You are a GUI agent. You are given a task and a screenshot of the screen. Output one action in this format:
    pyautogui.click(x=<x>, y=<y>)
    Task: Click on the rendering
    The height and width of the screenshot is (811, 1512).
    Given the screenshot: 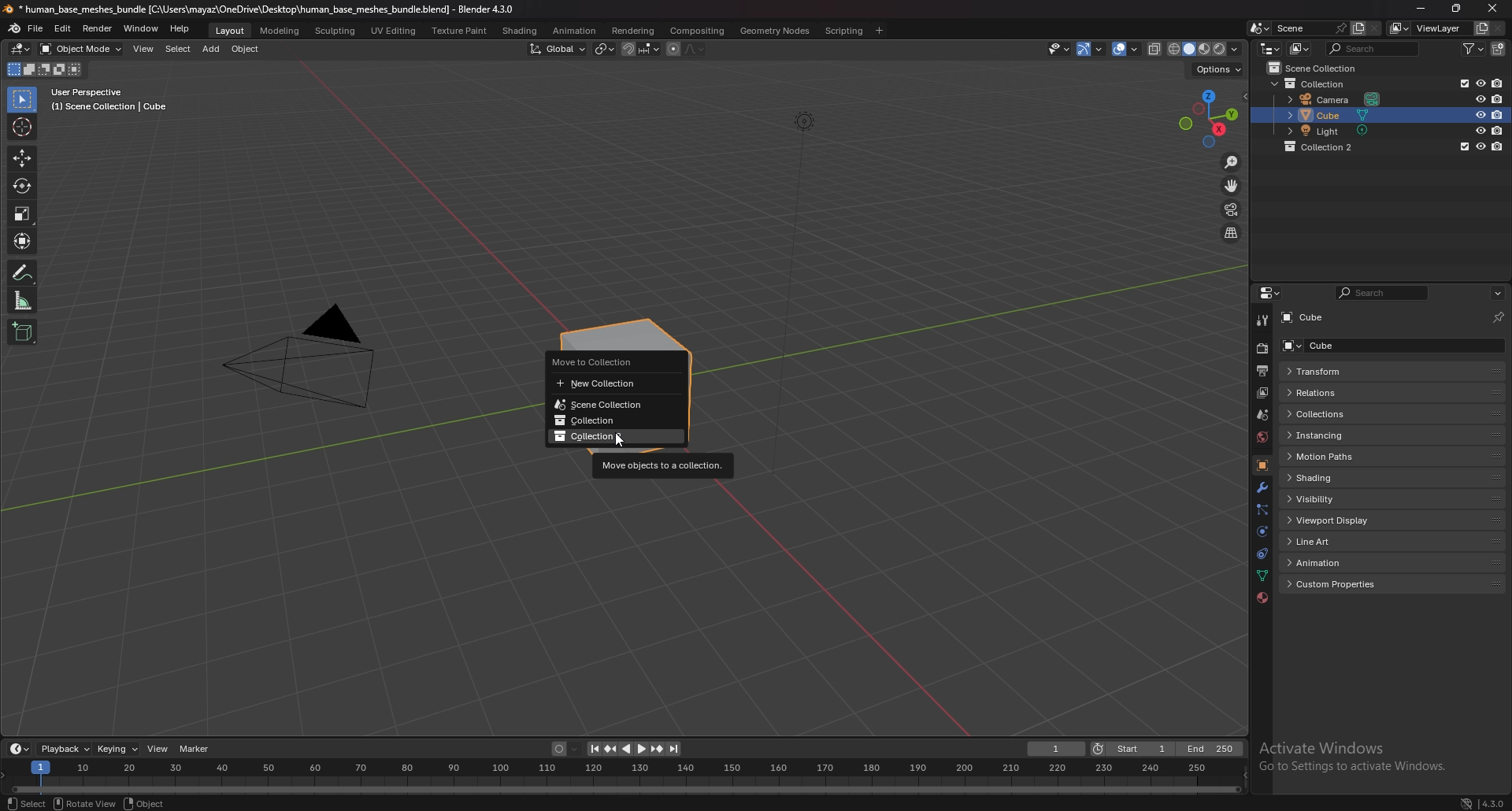 What is the action you would take?
    pyautogui.click(x=633, y=31)
    